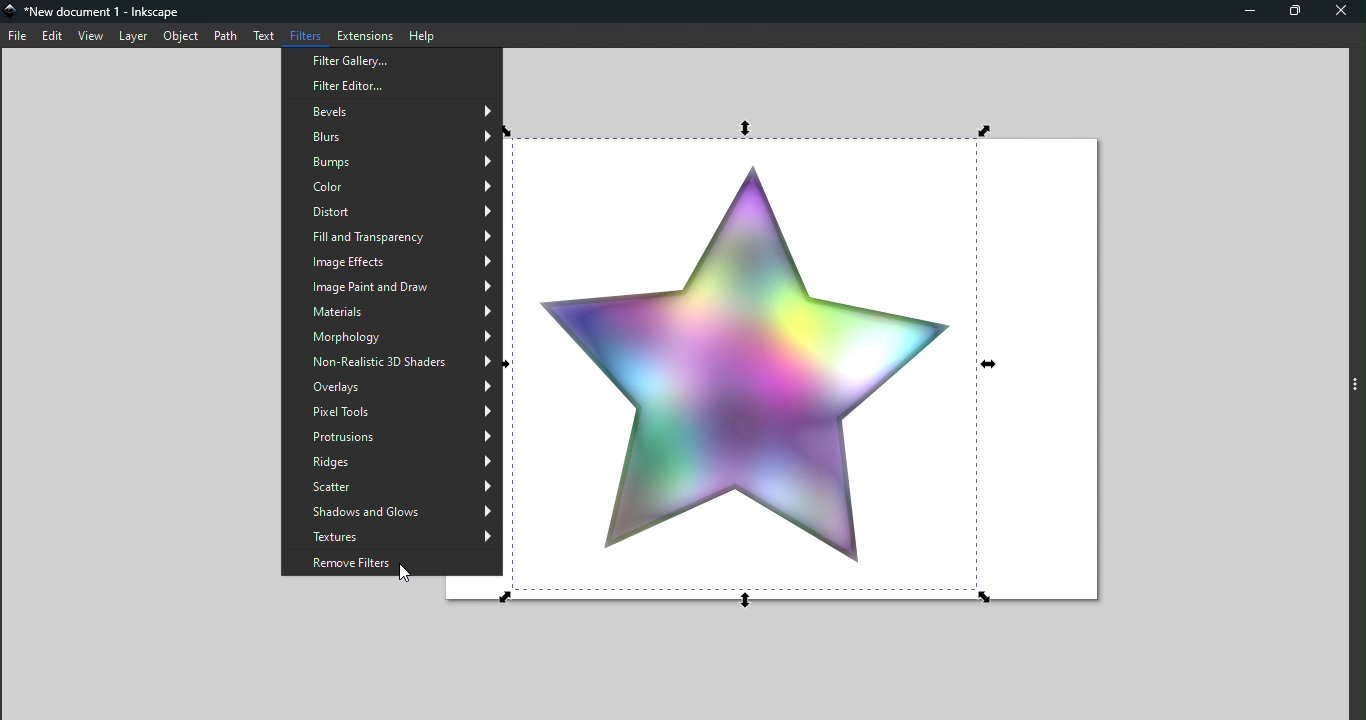  Describe the element at coordinates (224, 36) in the screenshot. I see `Path` at that location.